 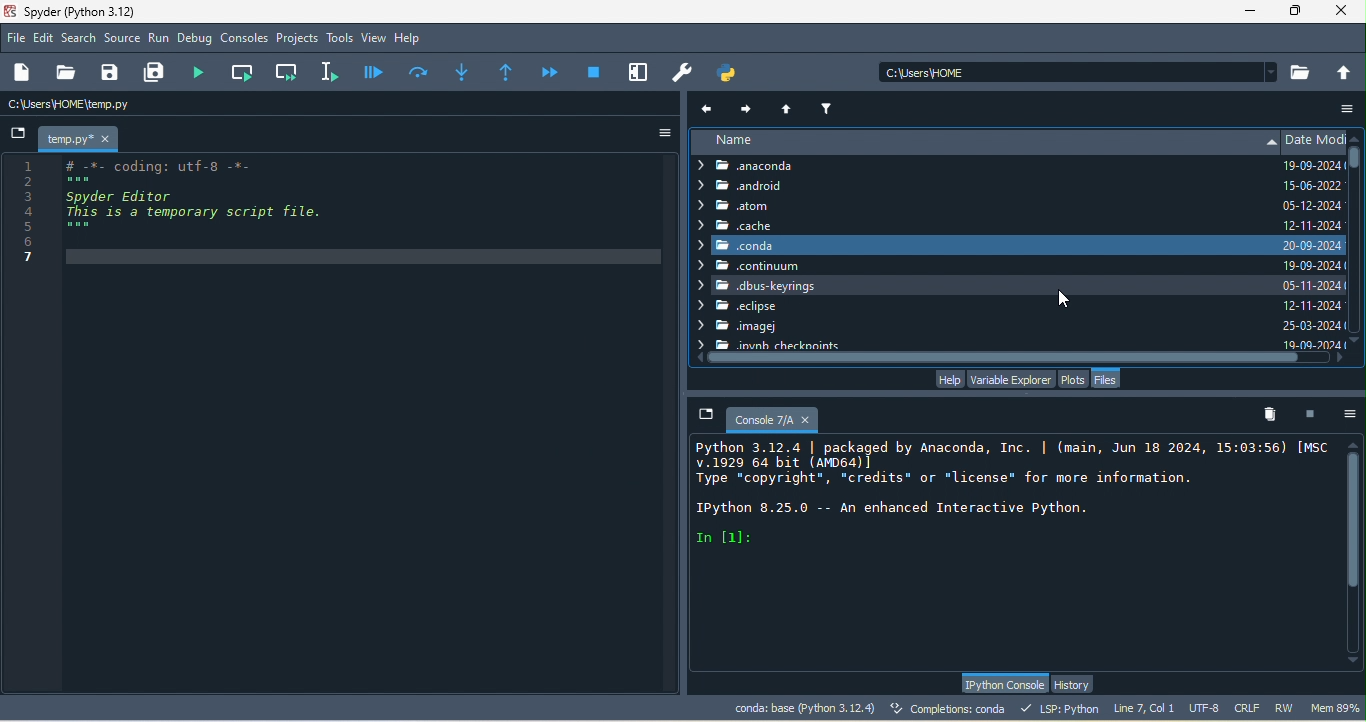 What do you see at coordinates (763, 206) in the screenshot?
I see `atom` at bounding box center [763, 206].